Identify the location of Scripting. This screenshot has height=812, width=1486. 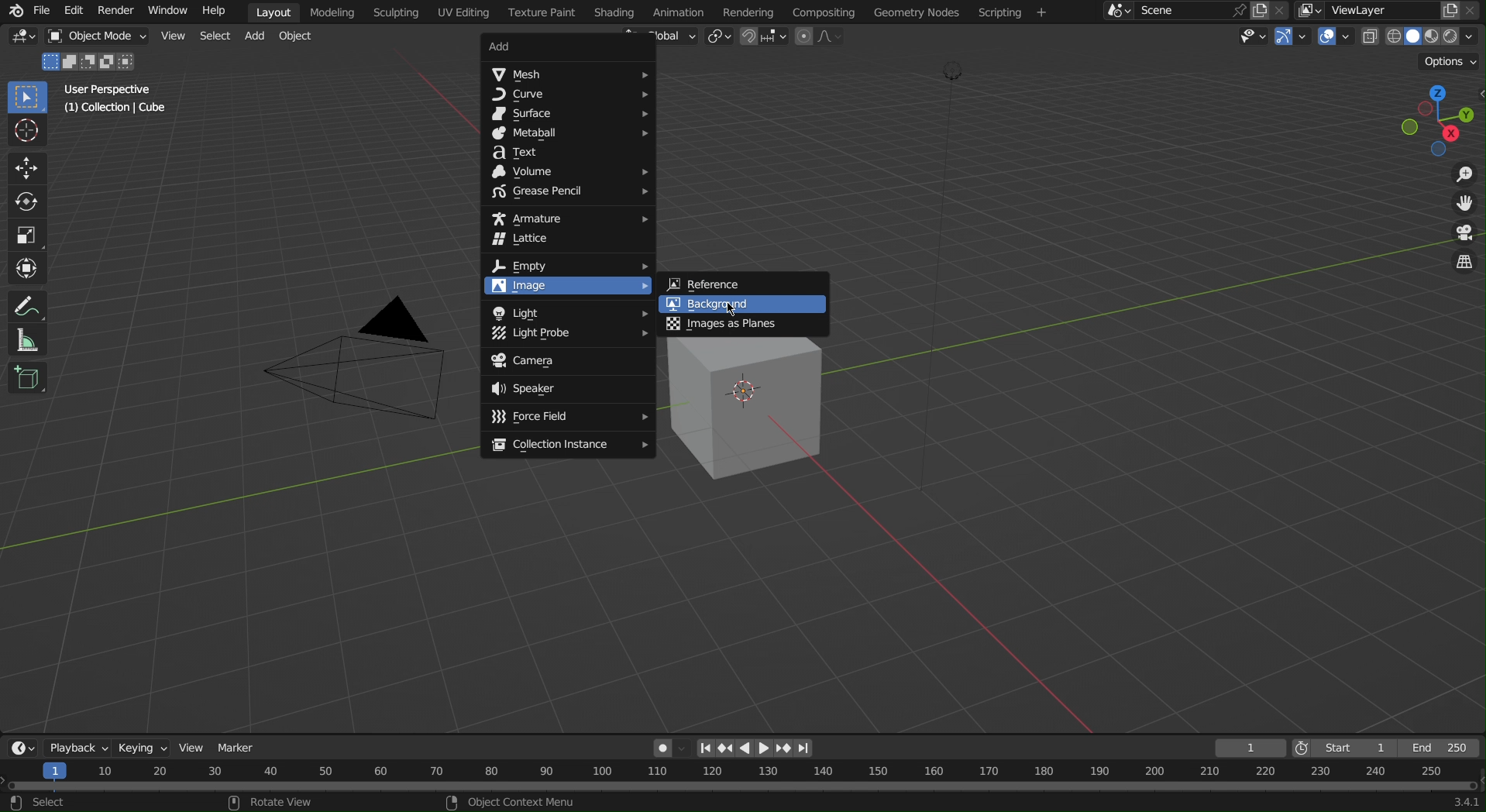
(1011, 14).